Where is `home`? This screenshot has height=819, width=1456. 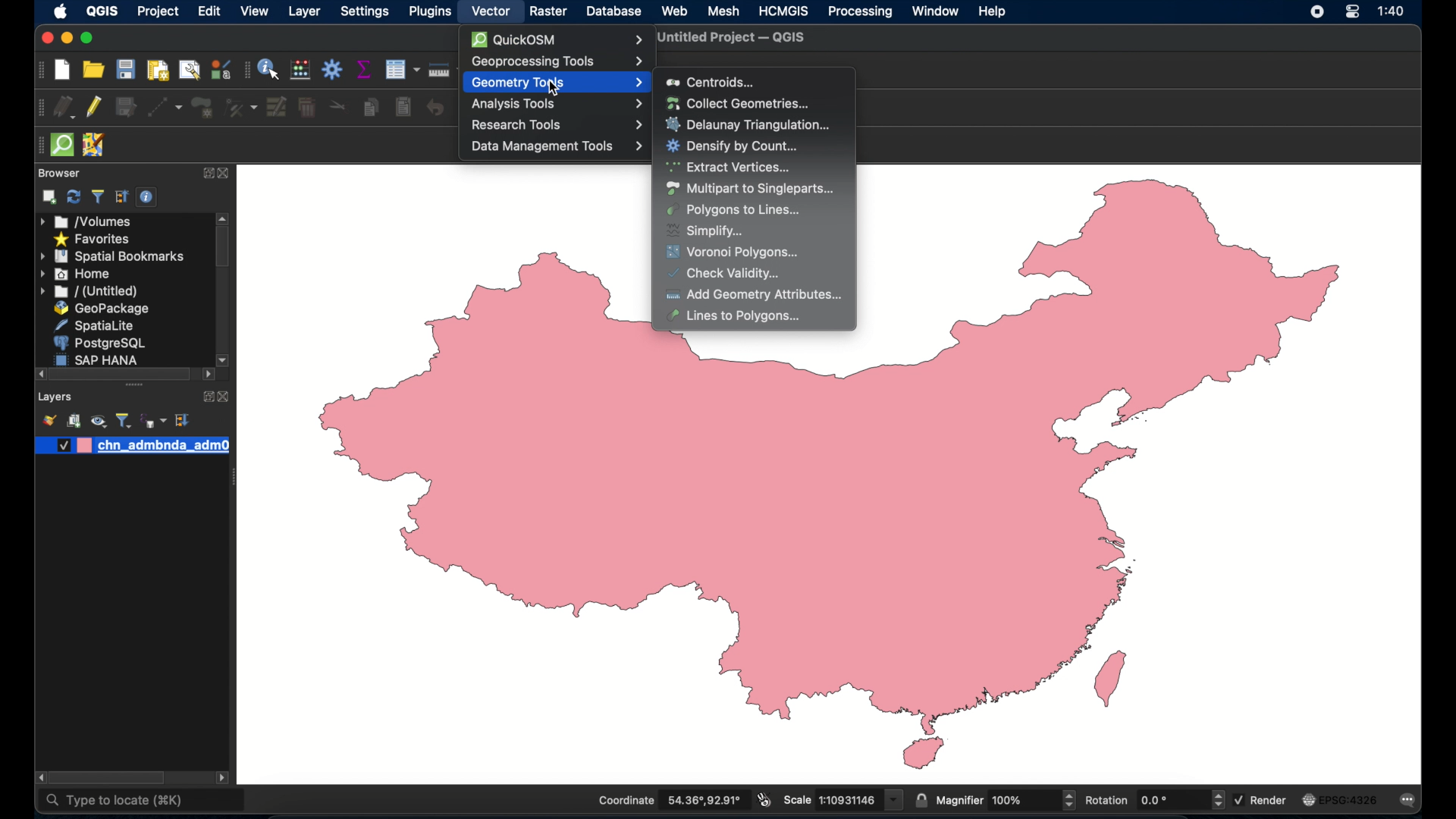 home is located at coordinates (75, 274).